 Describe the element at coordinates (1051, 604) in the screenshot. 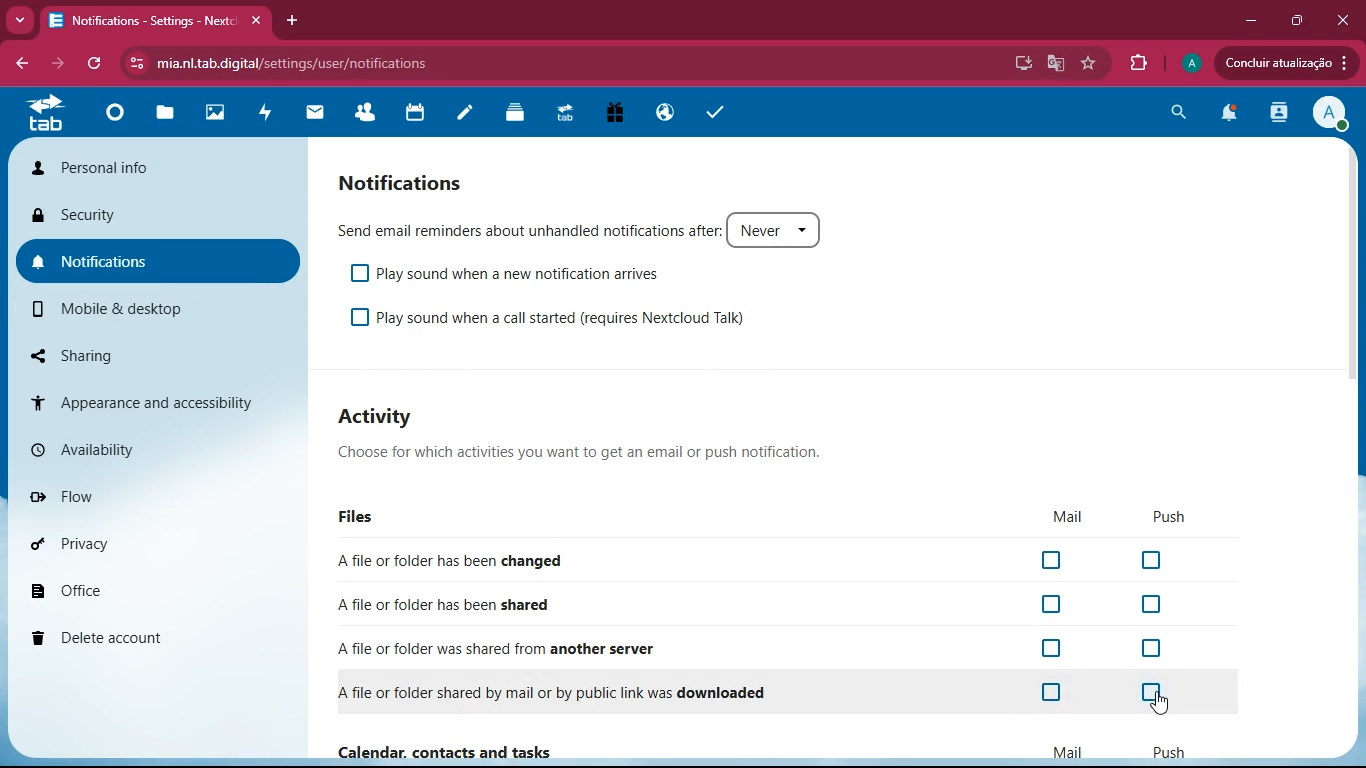

I see `off` at that location.